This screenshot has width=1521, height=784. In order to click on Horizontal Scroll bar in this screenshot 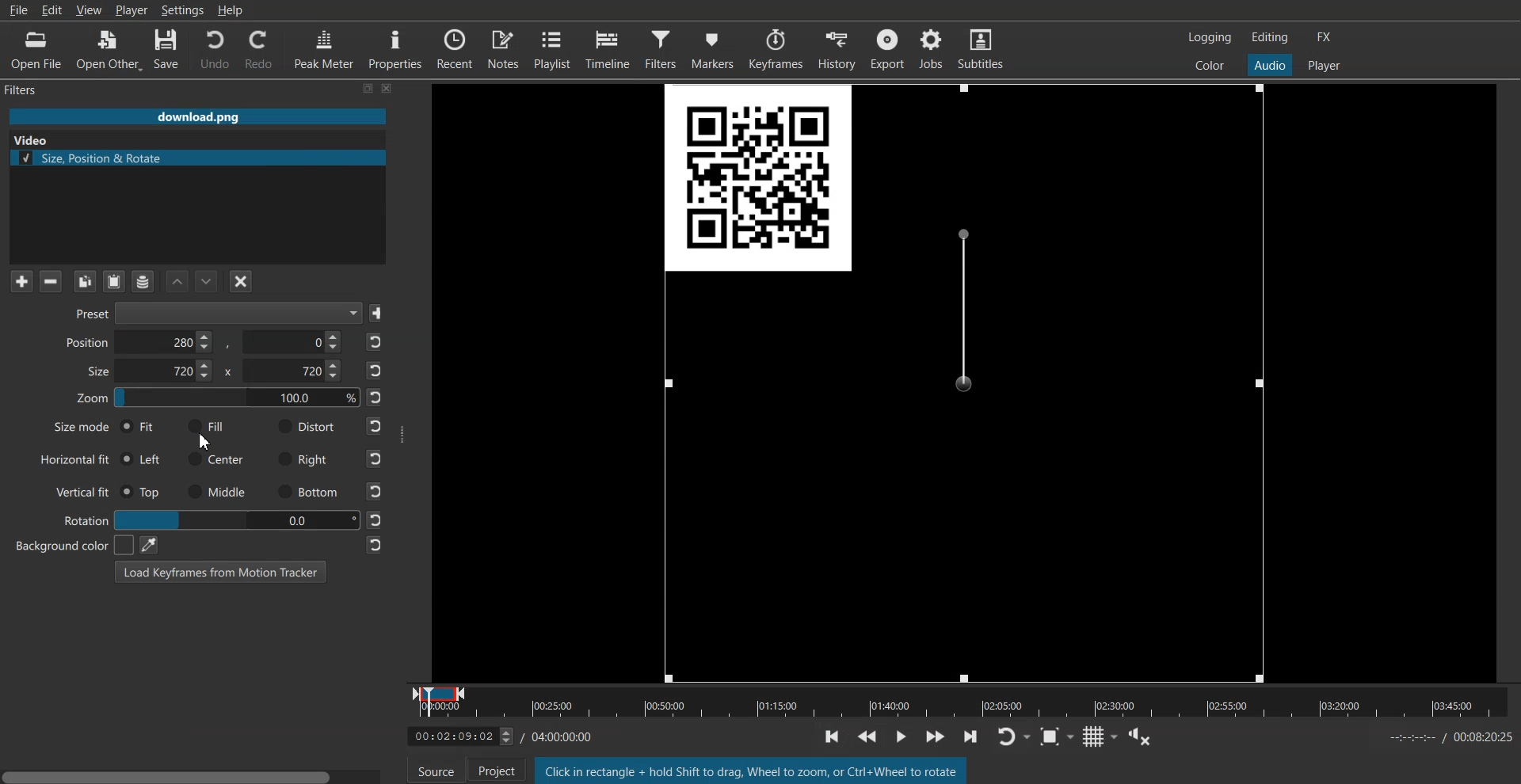, I will do `click(194, 773)`.